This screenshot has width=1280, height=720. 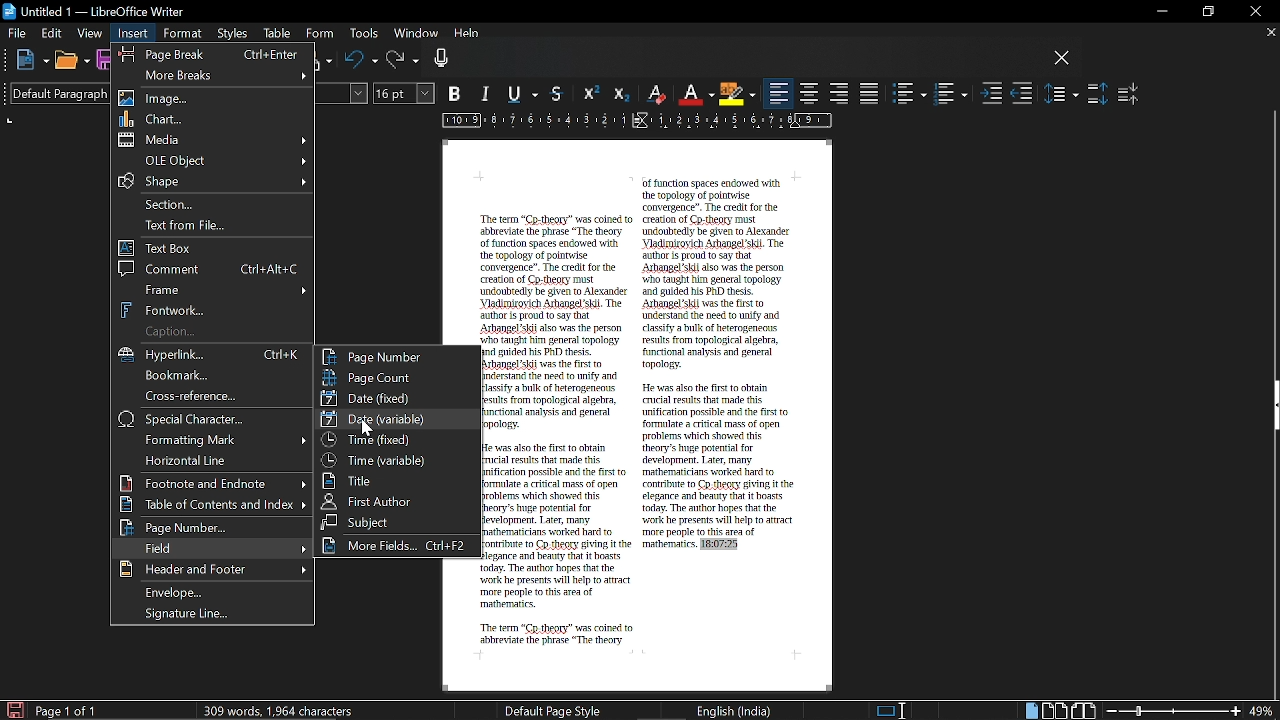 I want to click on Tools, so click(x=362, y=35).